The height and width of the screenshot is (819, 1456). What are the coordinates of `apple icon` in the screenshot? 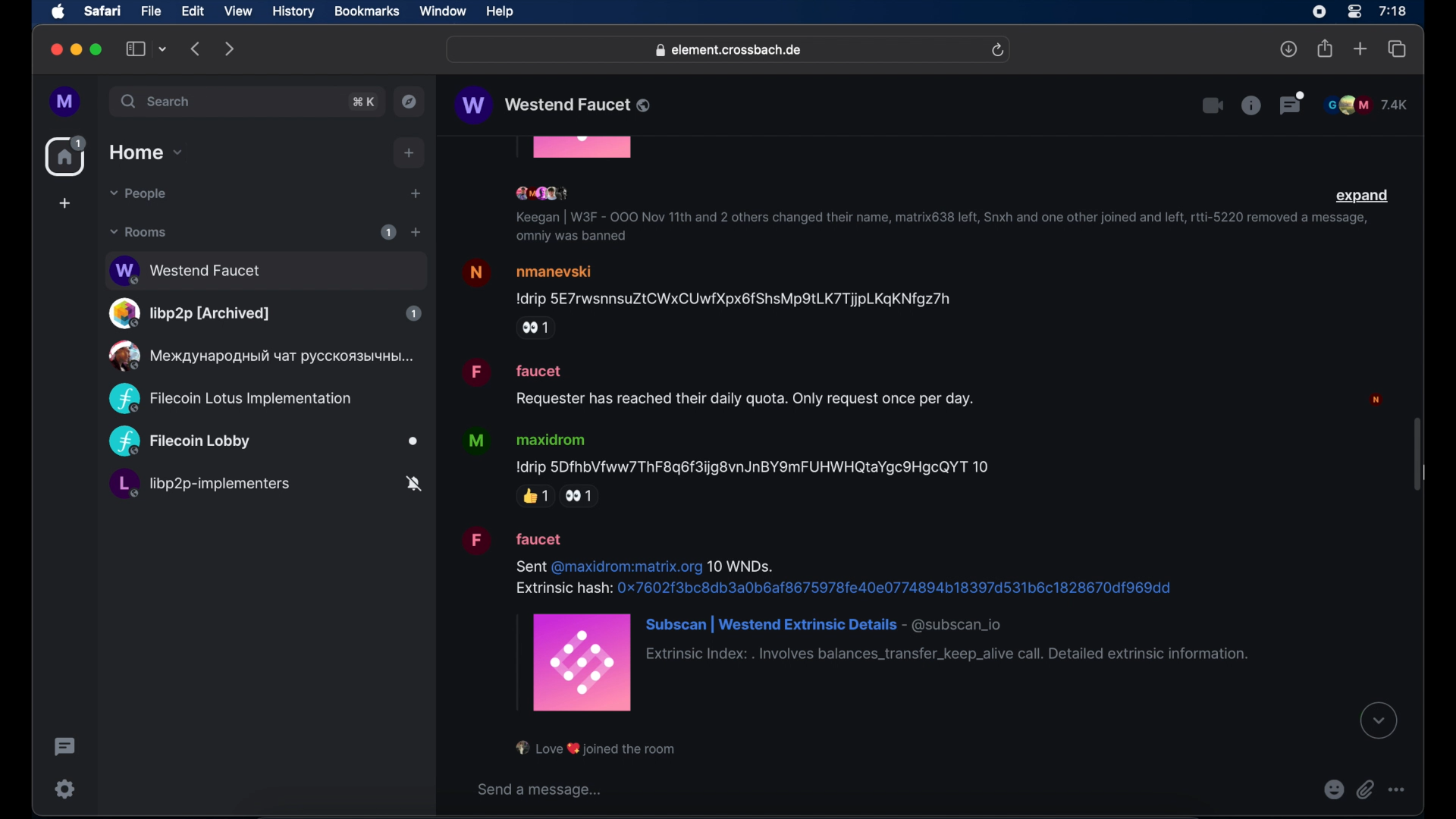 It's located at (58, 12).